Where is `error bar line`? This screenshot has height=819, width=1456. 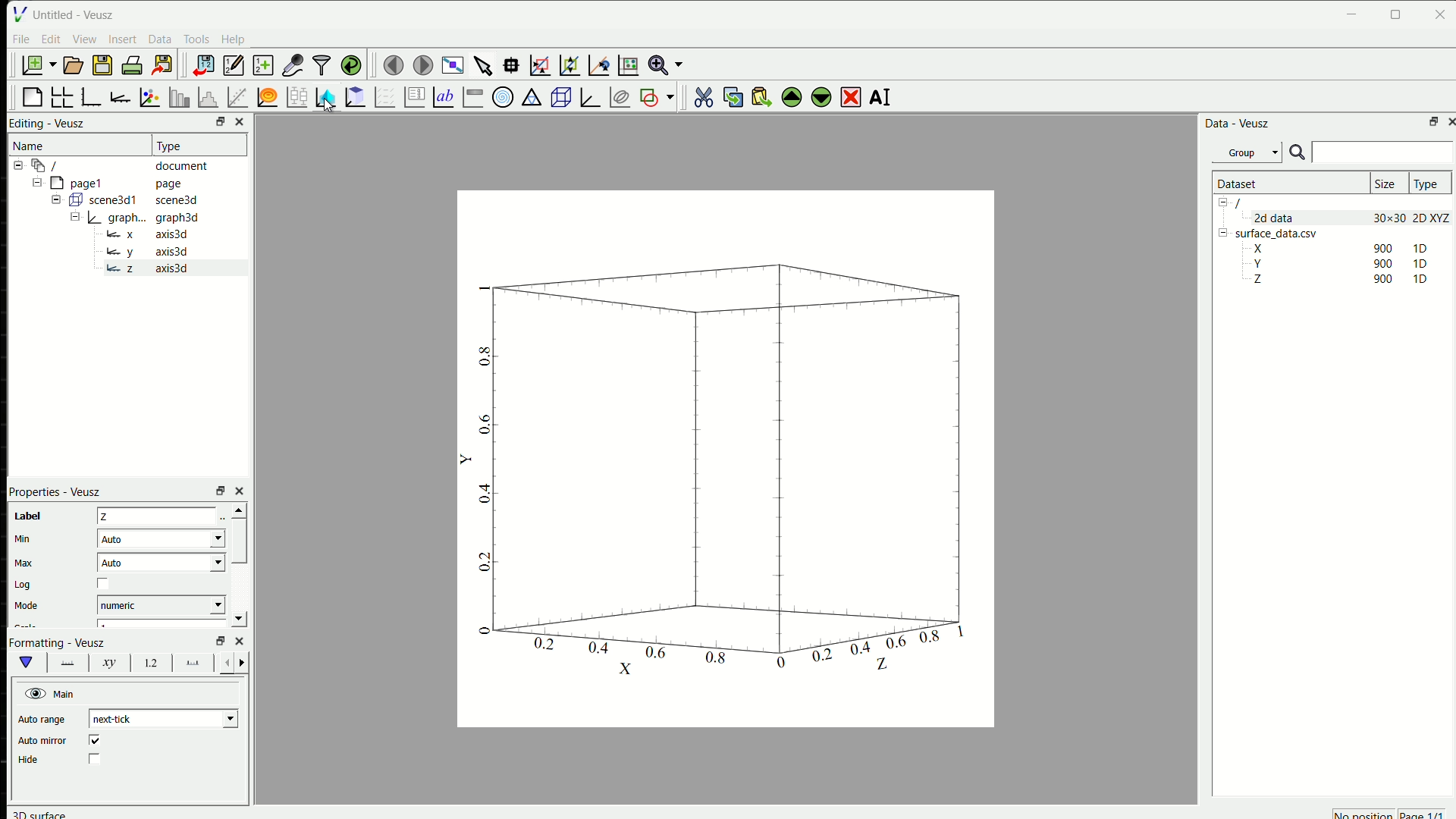
error bar line is located at coordinates (225, 664).